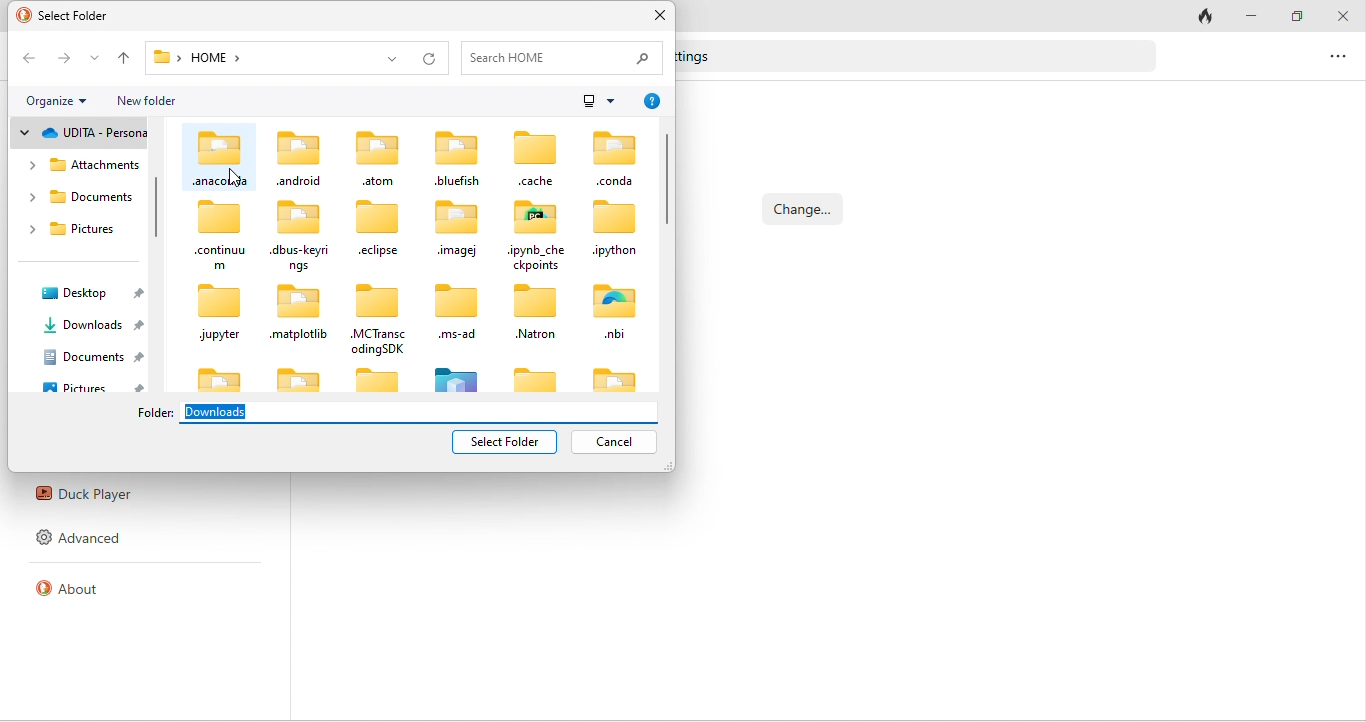 This screenshot has height=722, width=1366. Describe the element at coordinates (86, 496) in the screenshot. I see `duck player` at that location.